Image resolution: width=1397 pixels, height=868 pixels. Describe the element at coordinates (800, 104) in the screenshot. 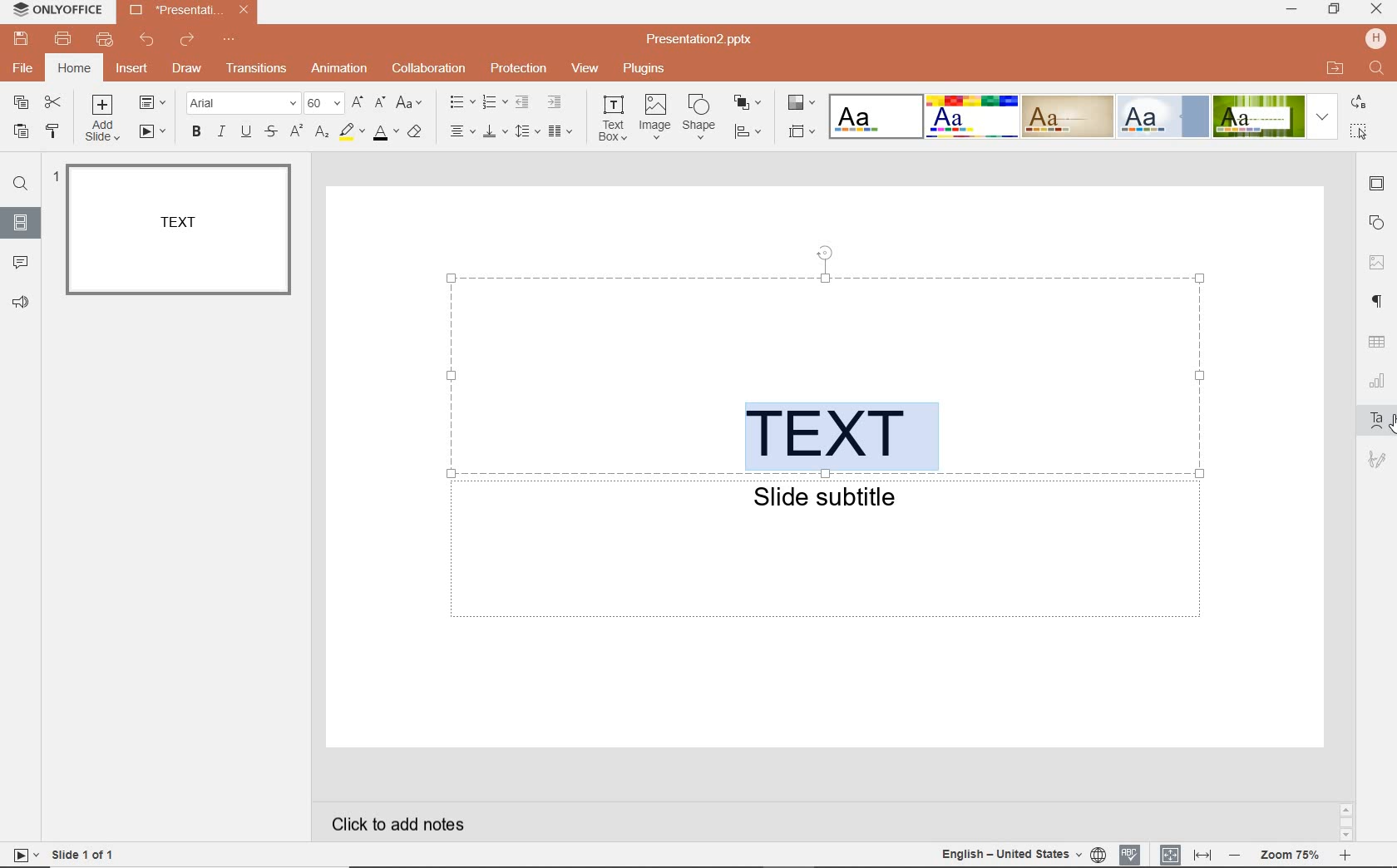

I see `CHANGE COLOR THEME` at that location.